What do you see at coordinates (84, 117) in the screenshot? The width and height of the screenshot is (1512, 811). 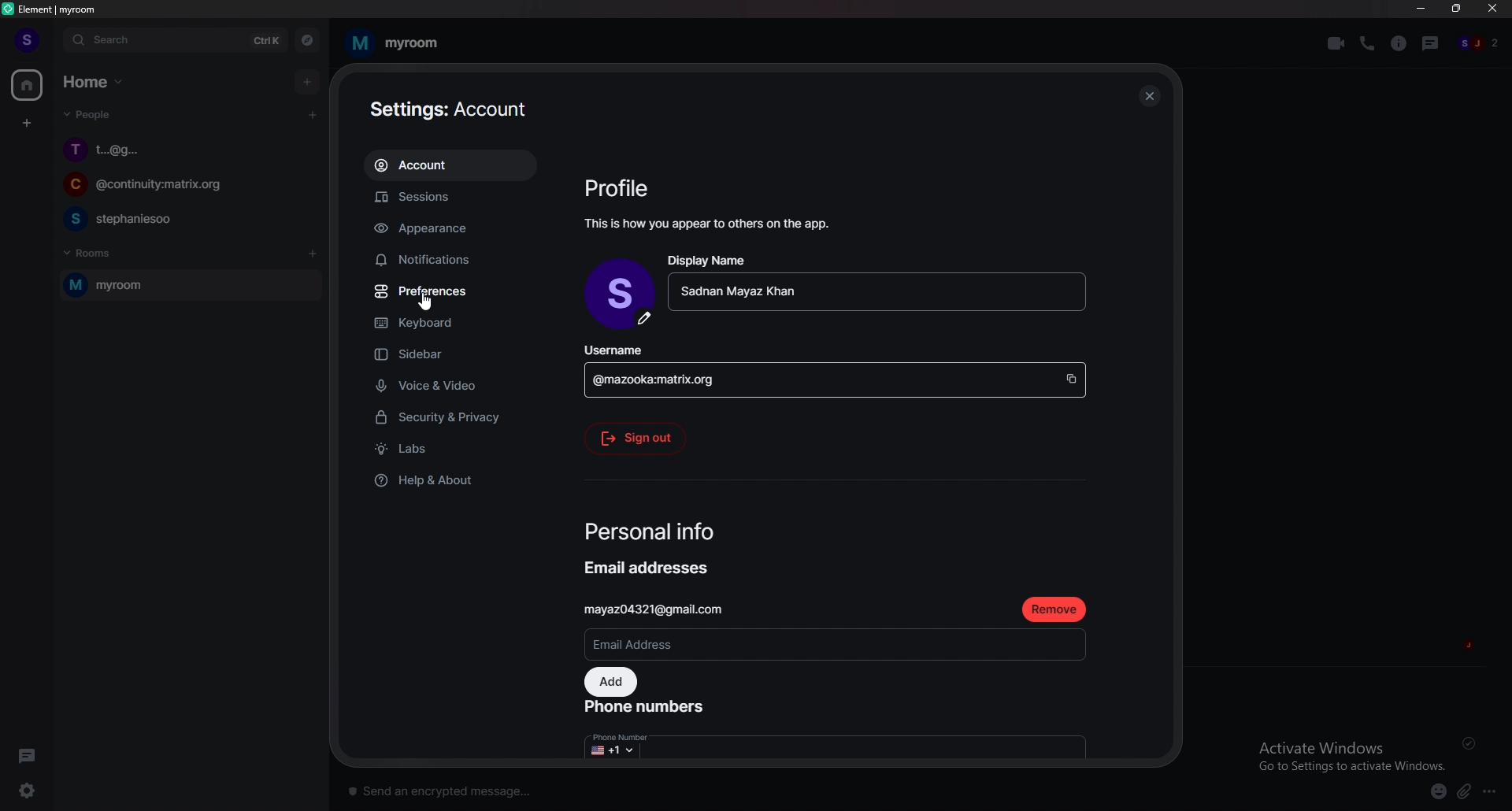 I see `People` at bounding box center [84, 117].